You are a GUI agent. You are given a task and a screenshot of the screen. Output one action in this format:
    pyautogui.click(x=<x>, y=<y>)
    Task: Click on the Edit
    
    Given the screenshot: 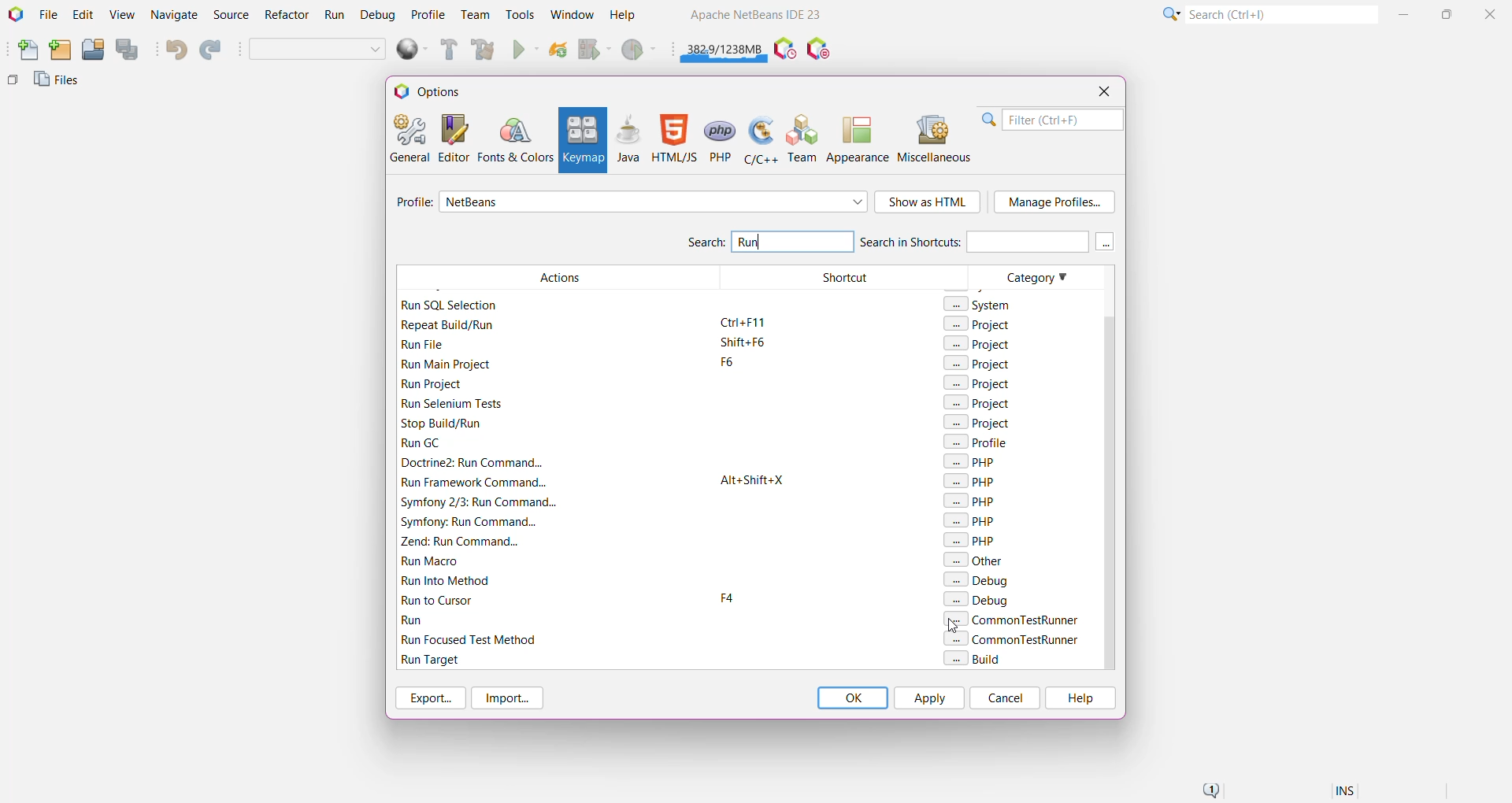 What is the action you would take?
    pyautogui.click(x=83, y=16)
    